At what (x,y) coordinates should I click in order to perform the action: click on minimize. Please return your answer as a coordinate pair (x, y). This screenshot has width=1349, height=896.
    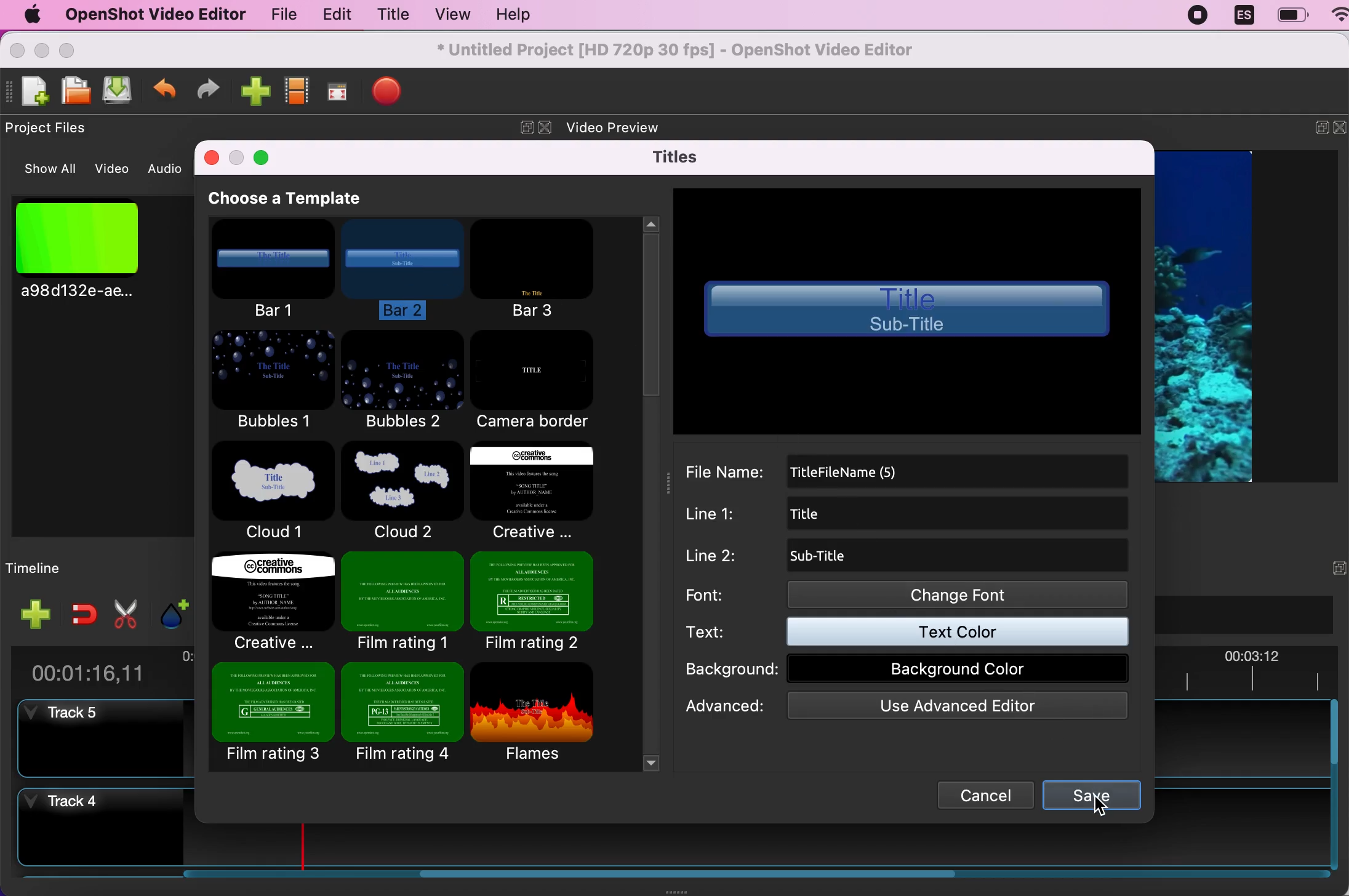
    Looking at the image, I should click on (42, 49).